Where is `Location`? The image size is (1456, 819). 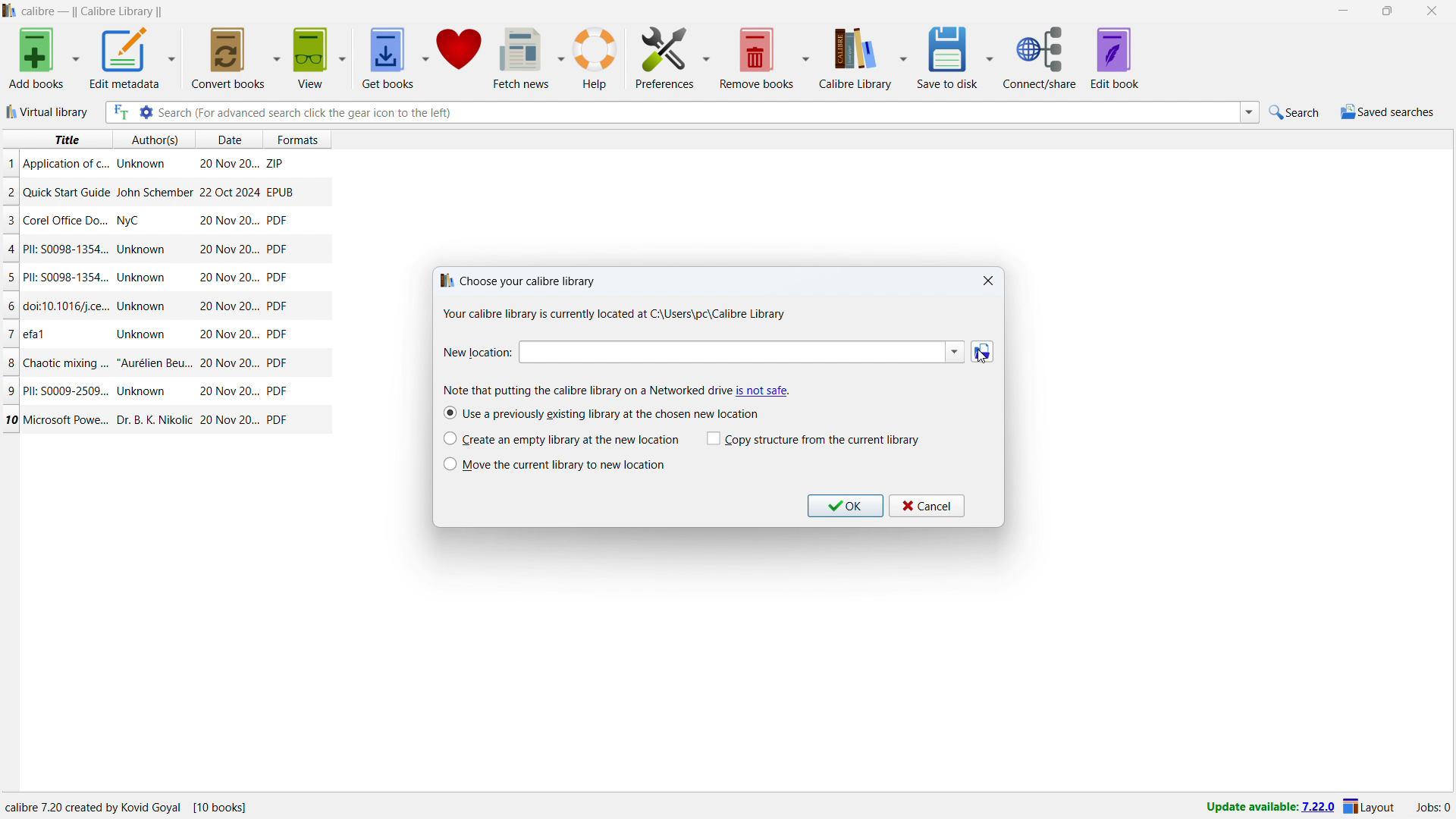
Location is located at coordinates (168, 808).